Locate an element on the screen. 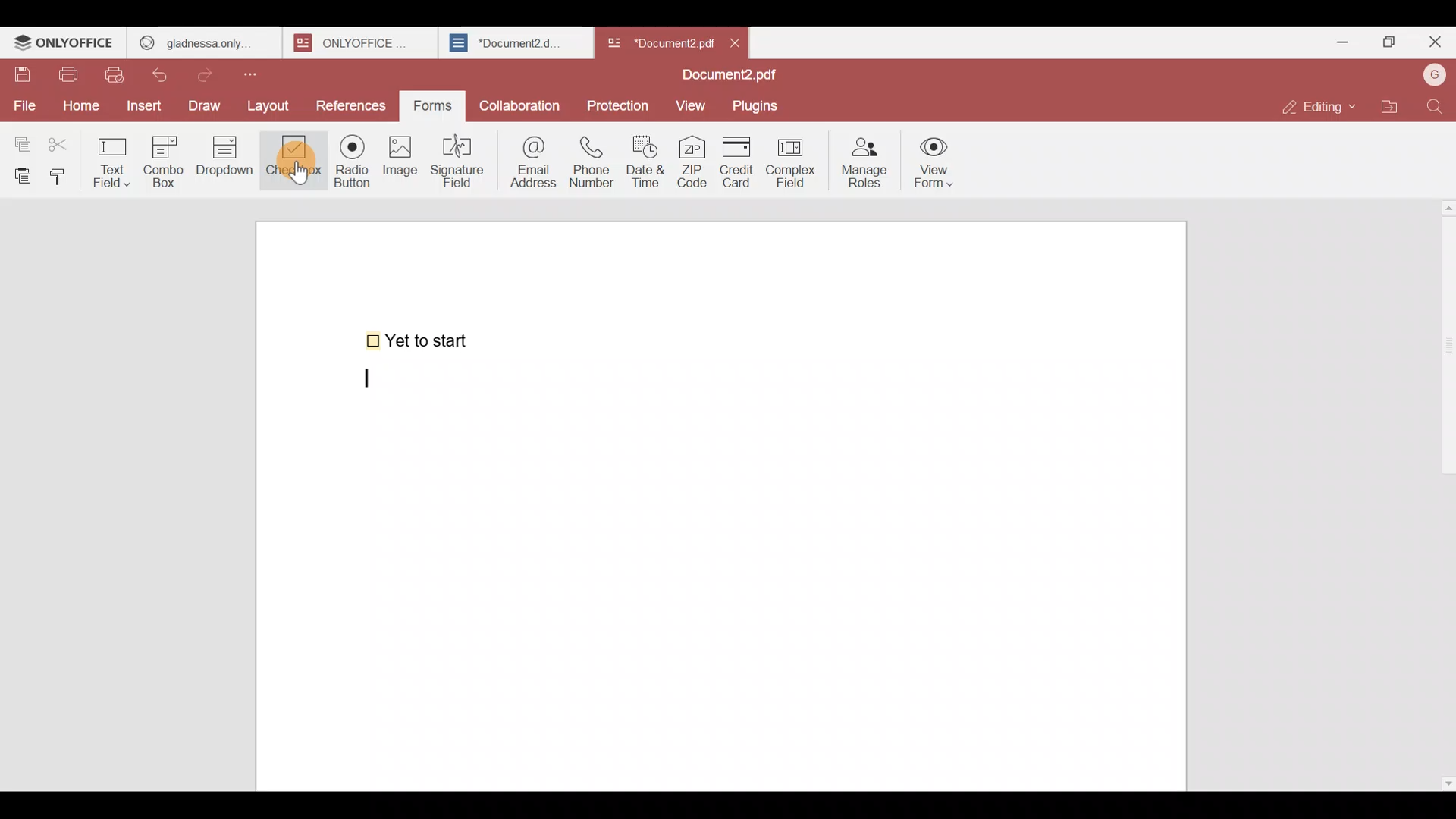 Image resolution: width=1456 pixels, height=819 pixels. Forms is located at coordinates (434, 104).